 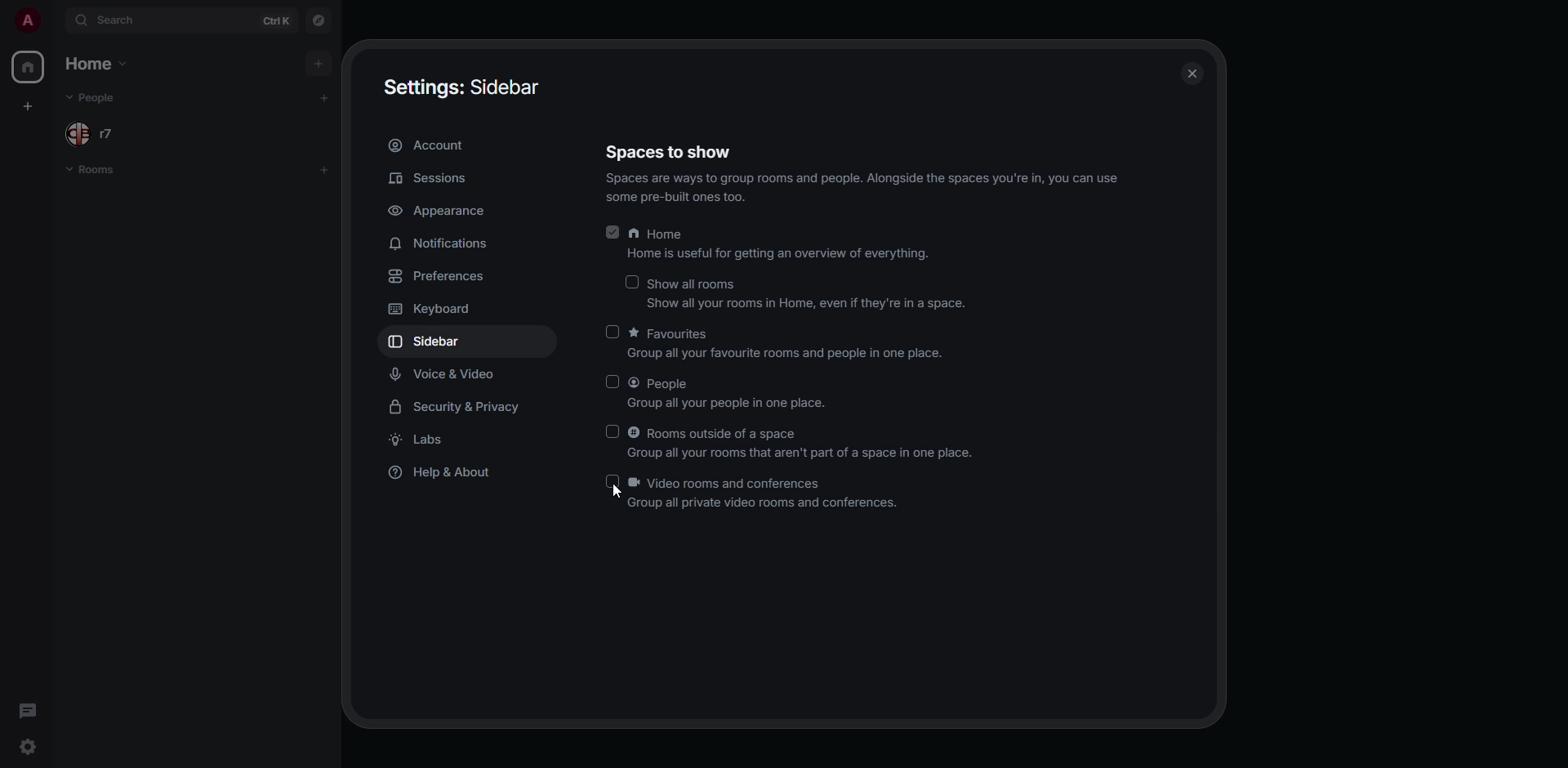 I want to click on click to enable, so click(x=608, y=382).